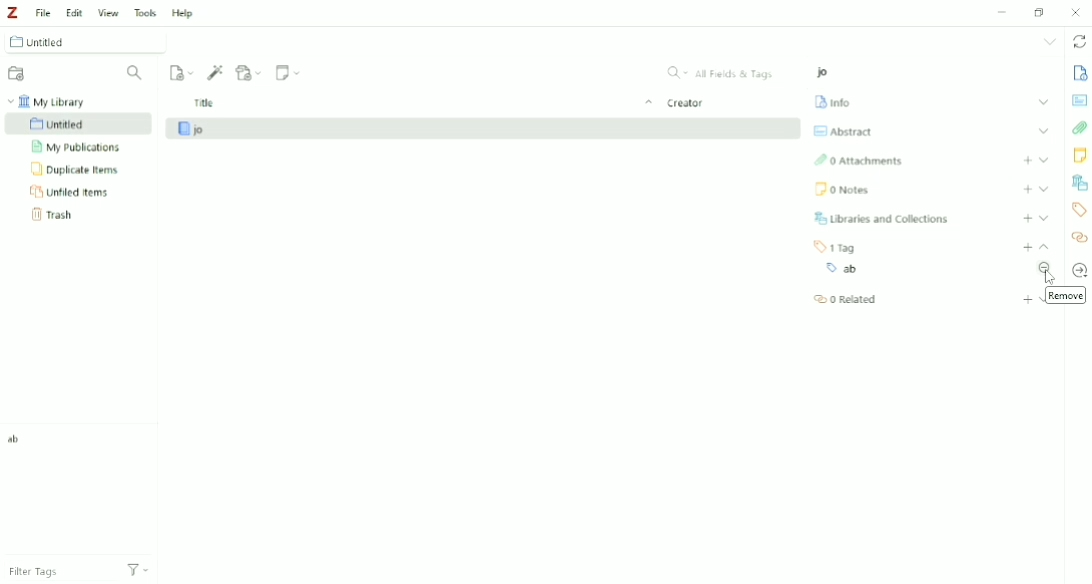  Describe the element at coordinates (1045, 217) in the screenshot. I see `Expand section` at that location.